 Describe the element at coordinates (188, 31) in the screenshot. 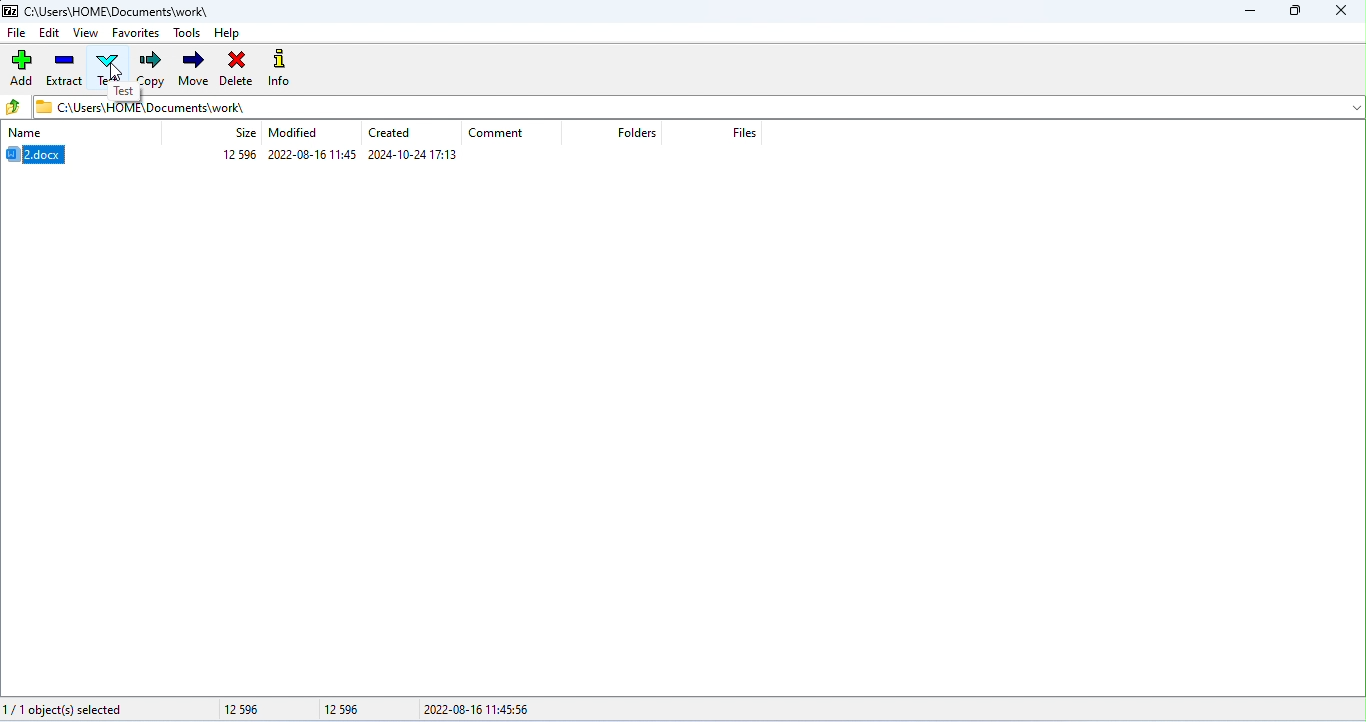

I see `tools` at that location.